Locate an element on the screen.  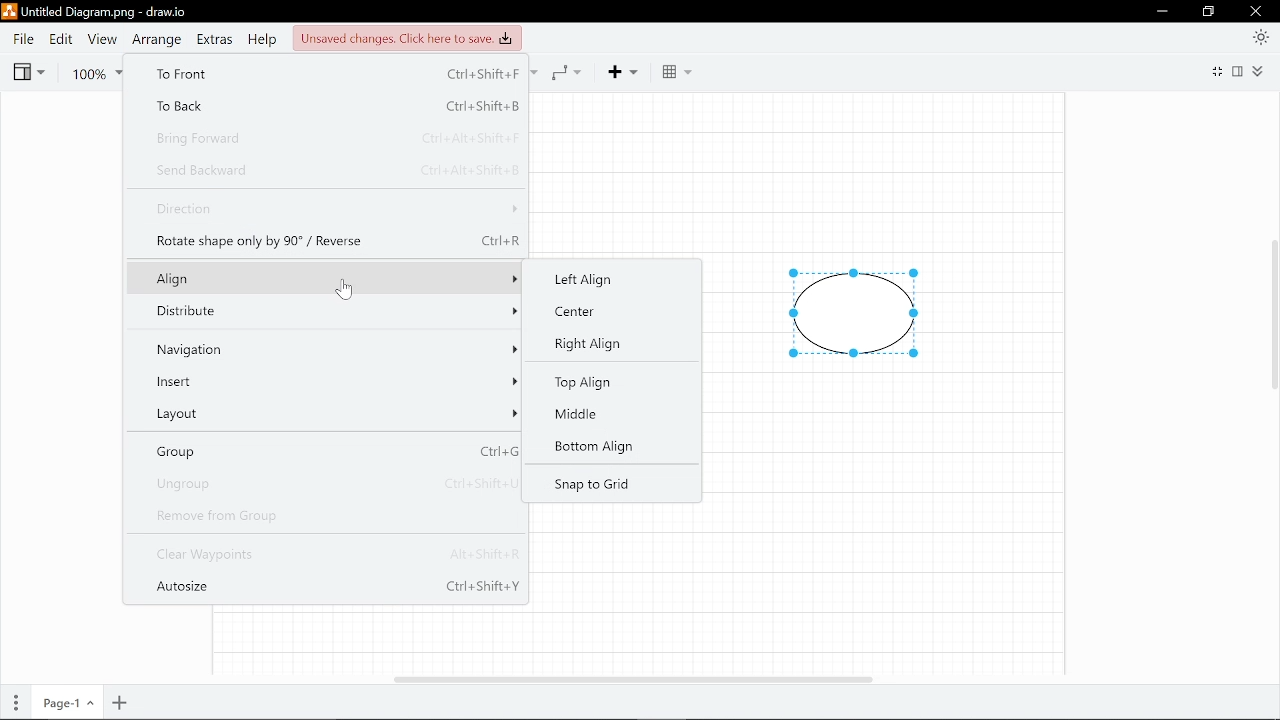
Unsaved changes. Click here to save is located at coordinates (405, 37).